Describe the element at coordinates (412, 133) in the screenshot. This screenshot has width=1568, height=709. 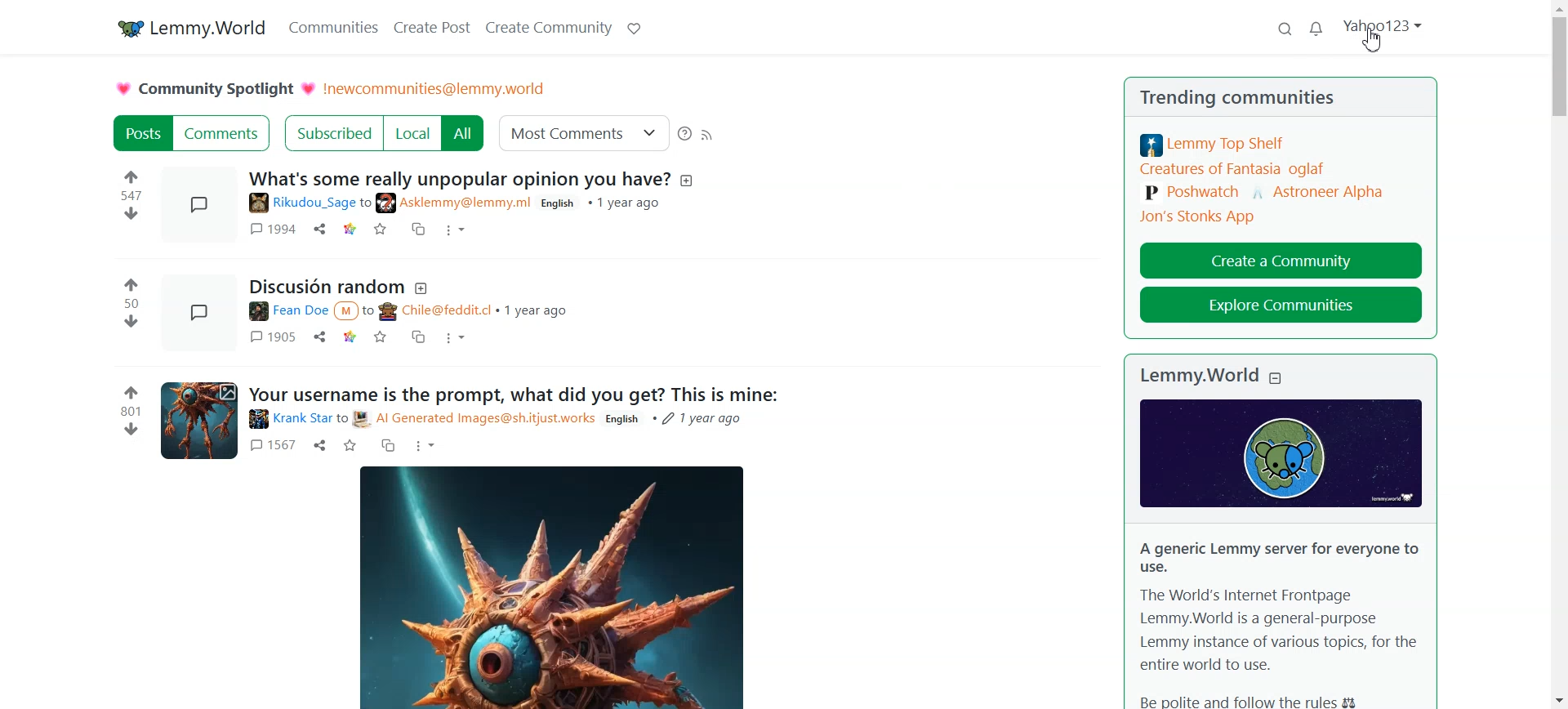
I see `Local` at that location.